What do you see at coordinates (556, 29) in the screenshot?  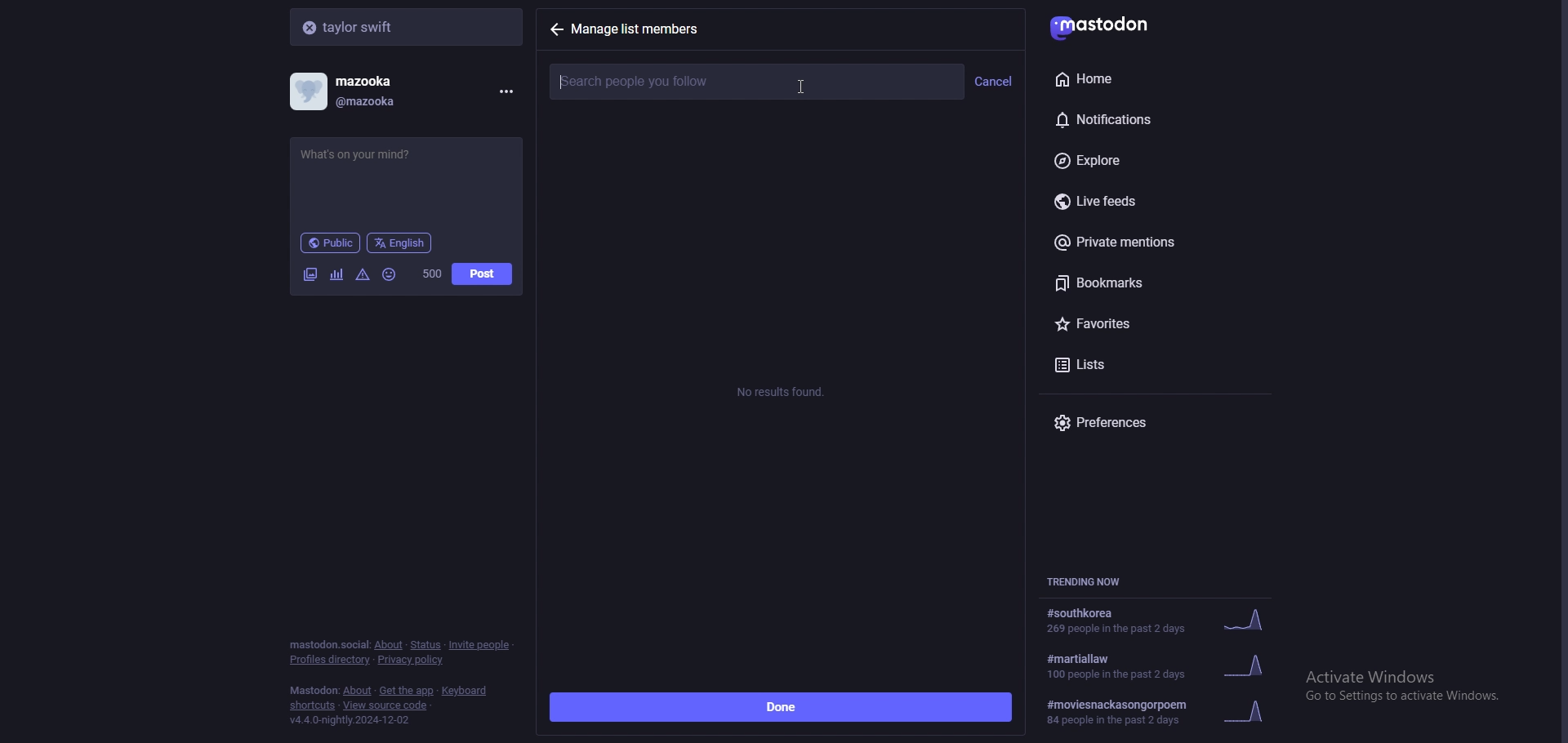 I see `back` at bounding box center [556, 29].